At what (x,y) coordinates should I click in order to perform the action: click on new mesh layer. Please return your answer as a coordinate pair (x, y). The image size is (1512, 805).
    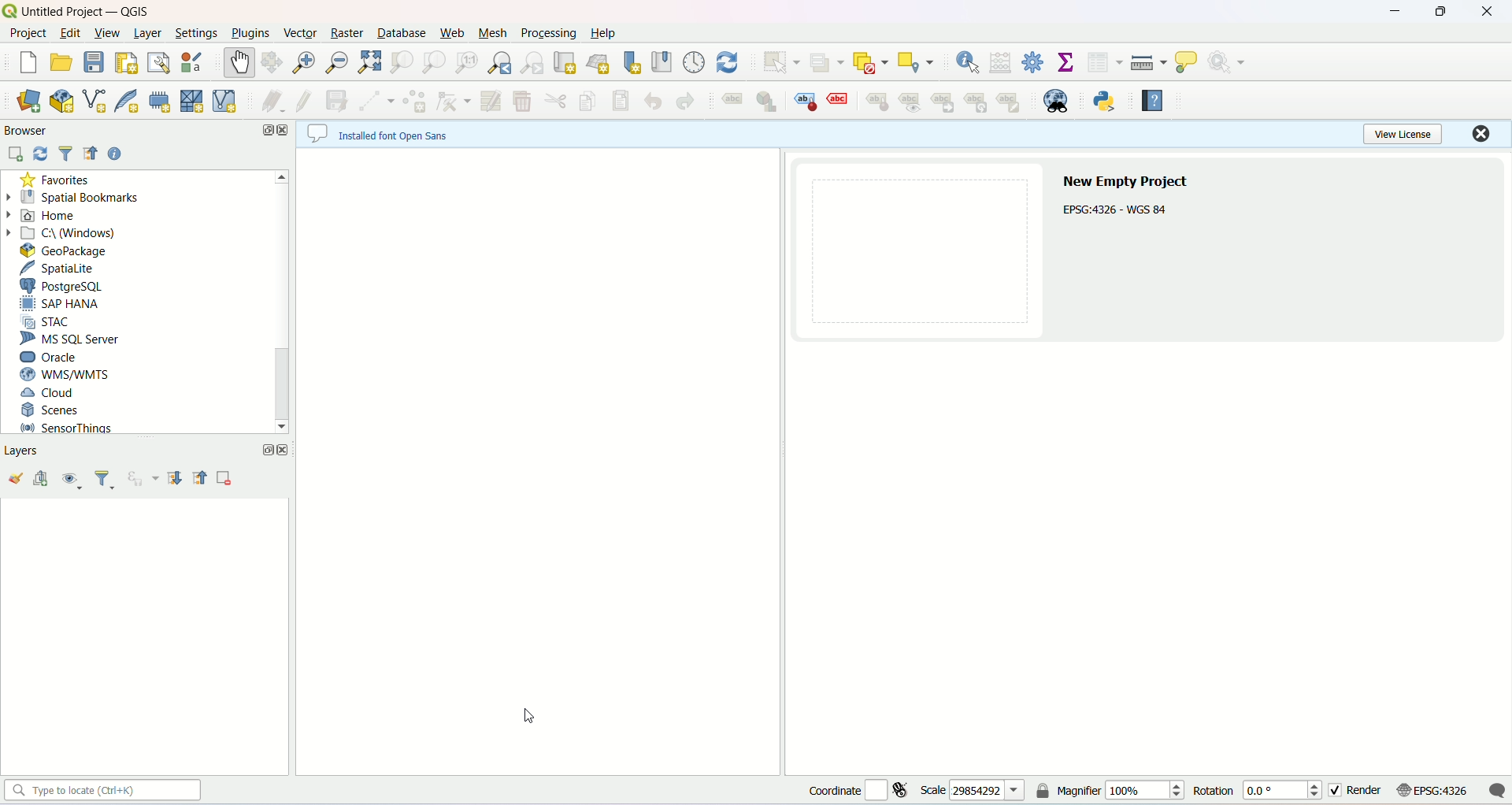
    Looking at the image, I should click on (192, 101).